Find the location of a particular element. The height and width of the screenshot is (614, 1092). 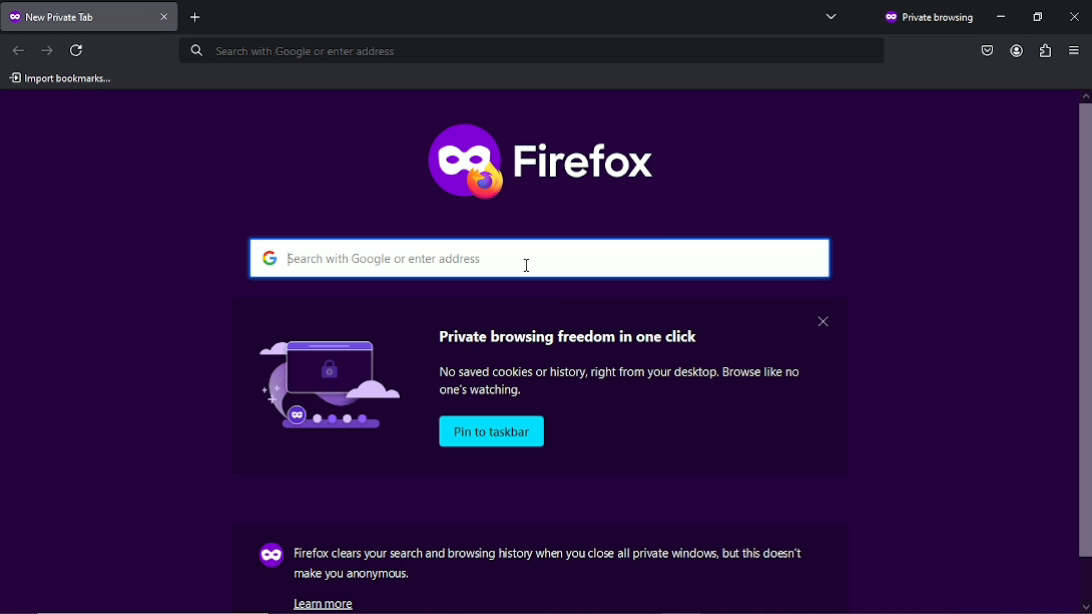

close is located at coordinates (822, 320).